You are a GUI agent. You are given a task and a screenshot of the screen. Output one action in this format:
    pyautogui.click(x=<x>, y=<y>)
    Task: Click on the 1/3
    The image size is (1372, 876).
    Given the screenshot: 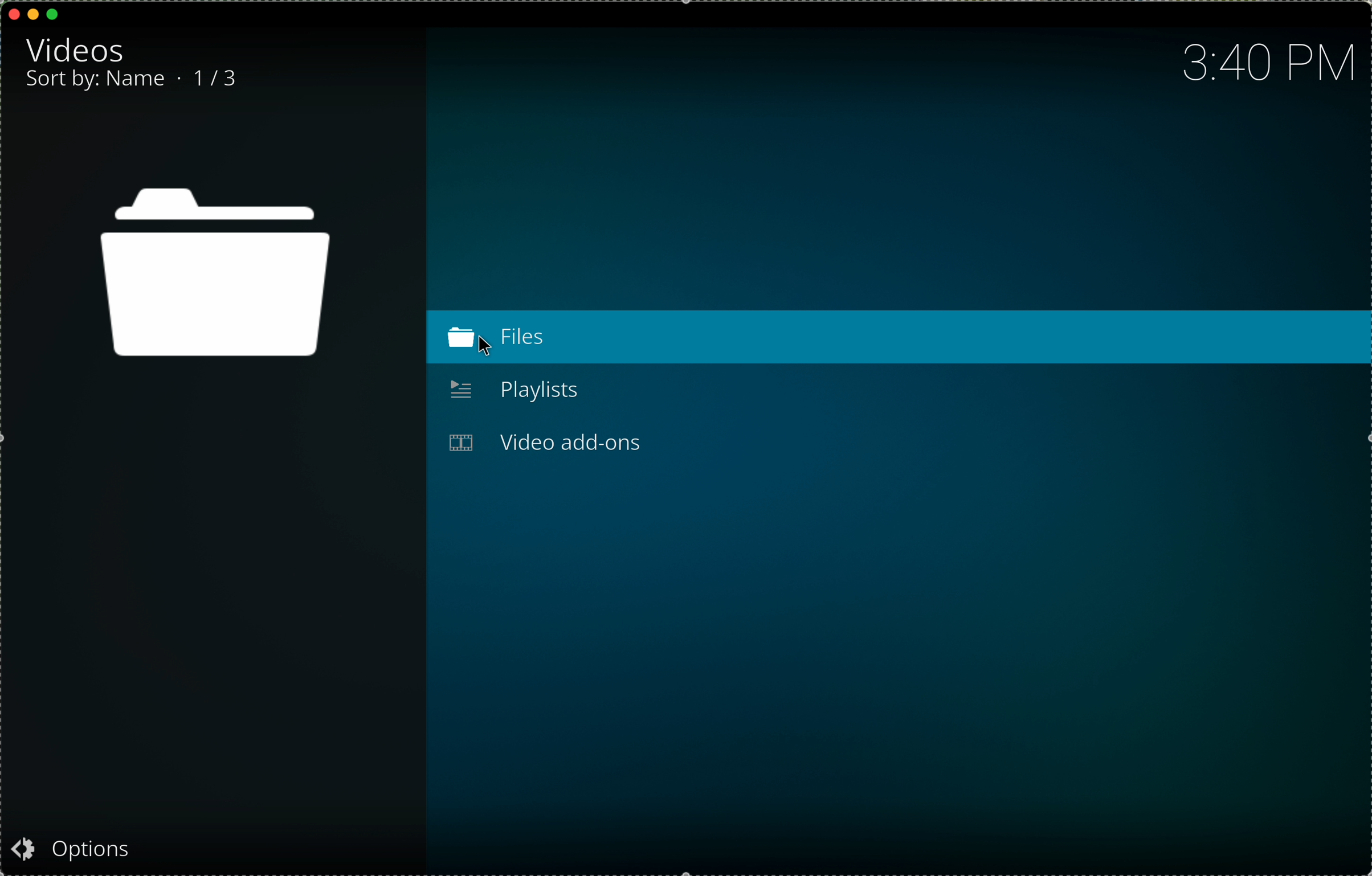 What is the action you would take?
    pyautogui.click(x=218, y=80)
    